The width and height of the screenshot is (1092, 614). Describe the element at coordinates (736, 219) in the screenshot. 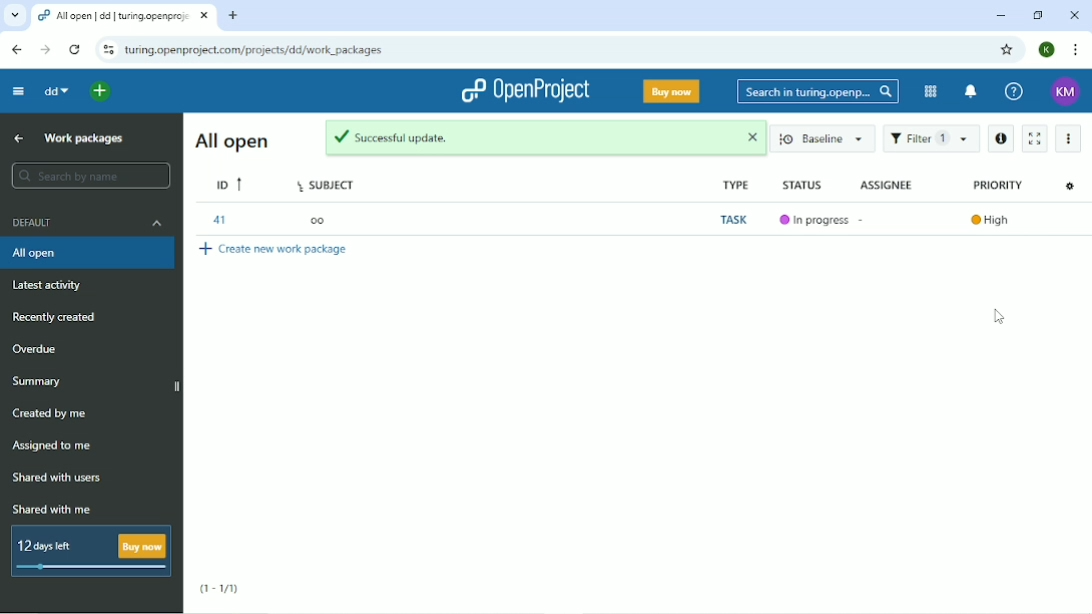

I see `Task` at that location.